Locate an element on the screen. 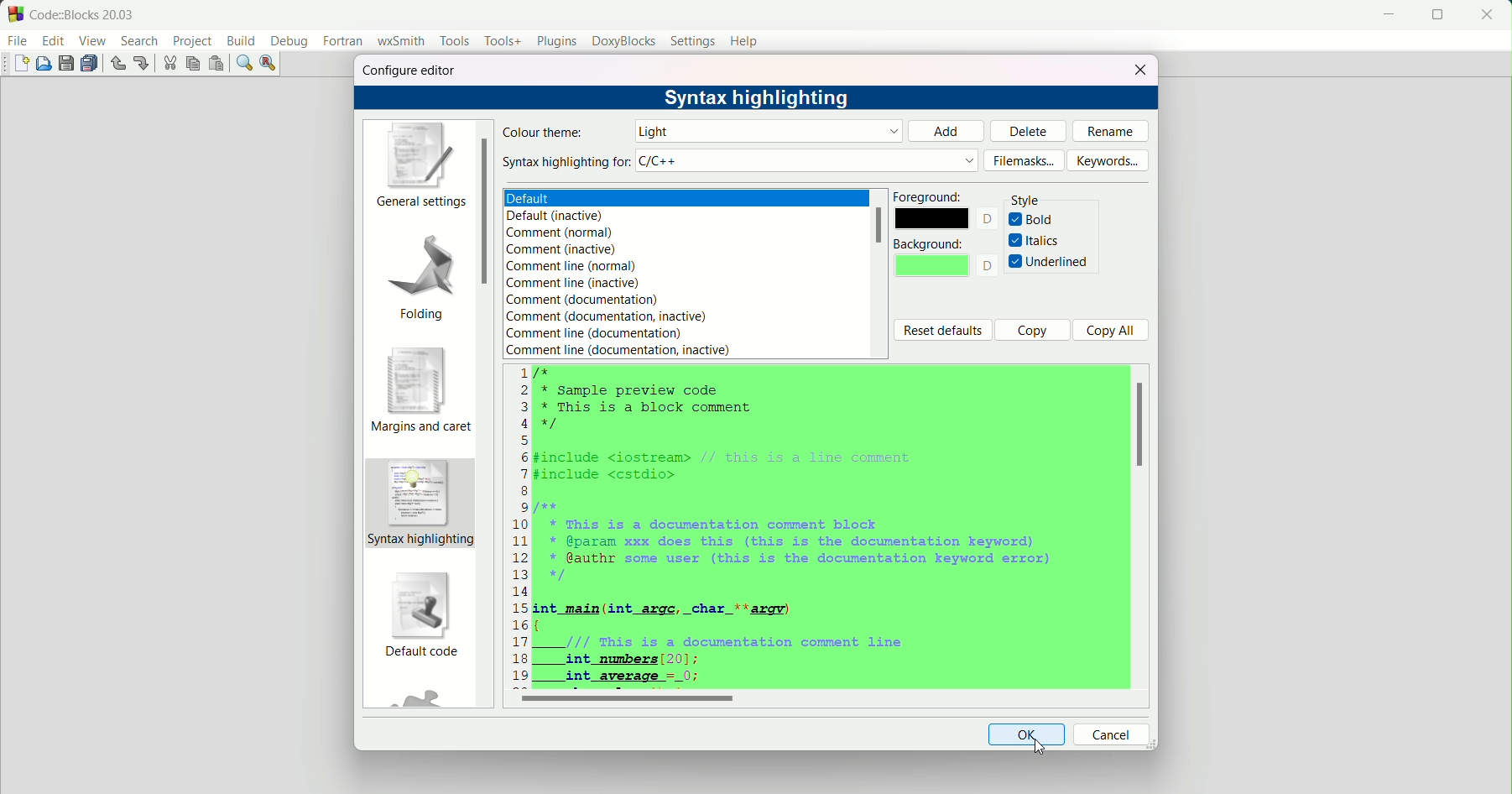 This screenshot has height=794, width=1512. default code is located at coordinates (421, 616).